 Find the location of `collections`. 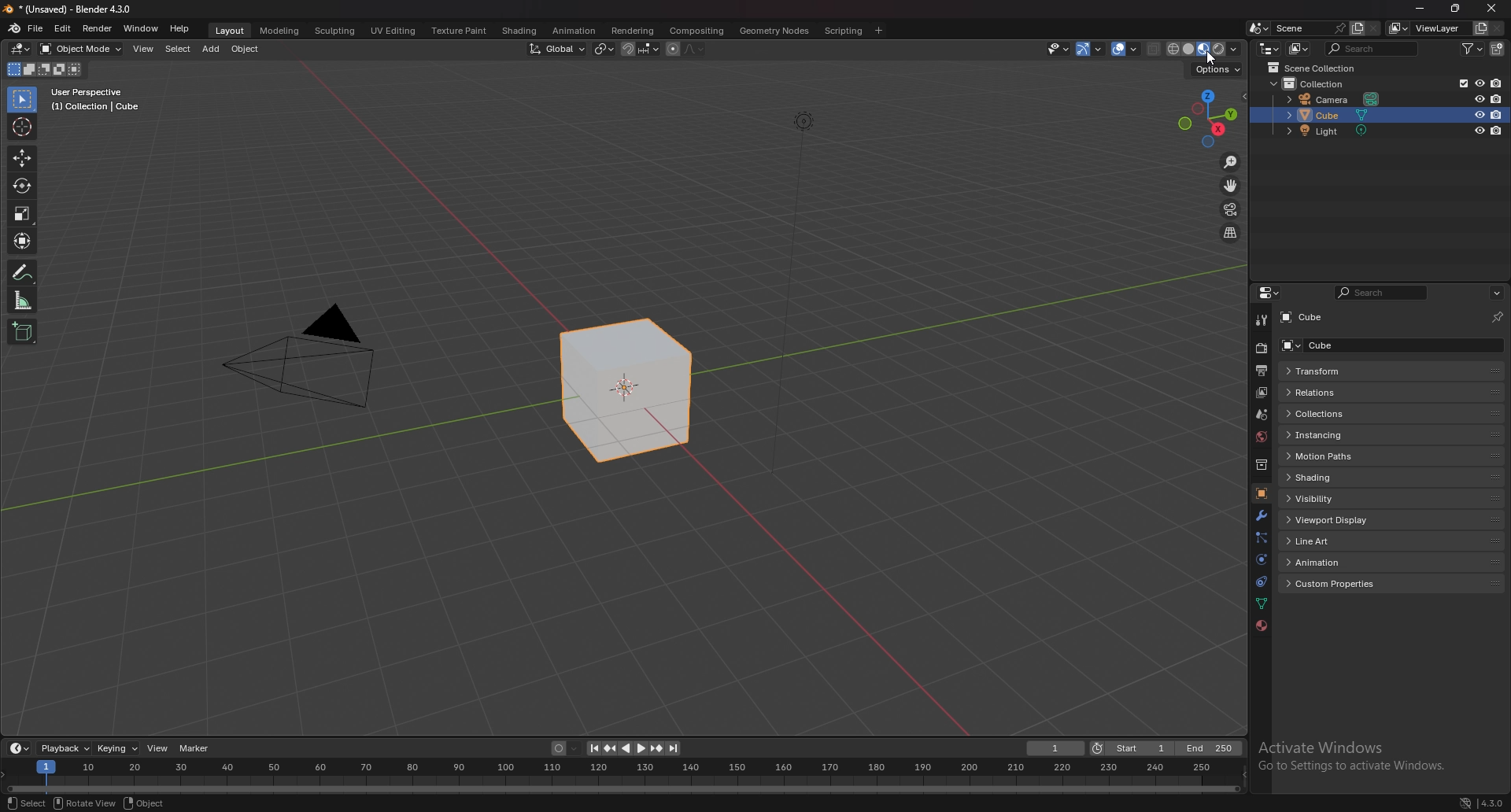

collections is located at coordinates (1364, 415).